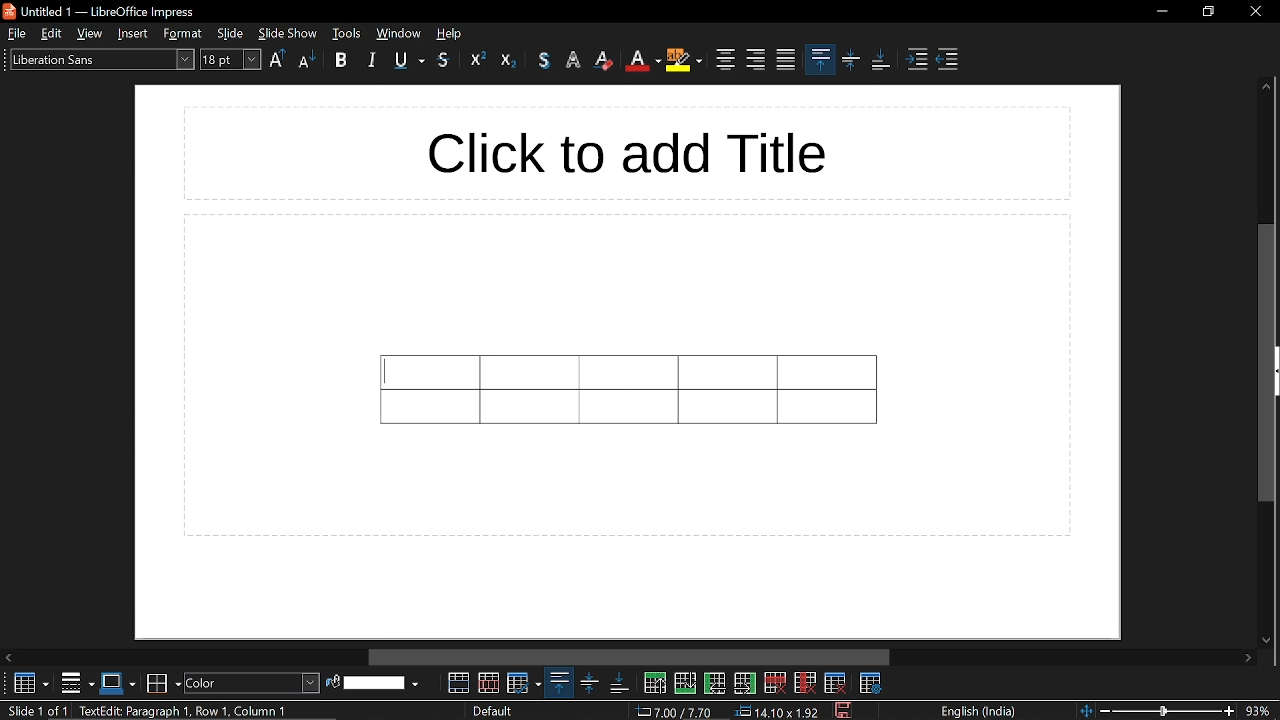 This screenshot has width=1280, height=720. I want to click on move down, so click(1268, 638).